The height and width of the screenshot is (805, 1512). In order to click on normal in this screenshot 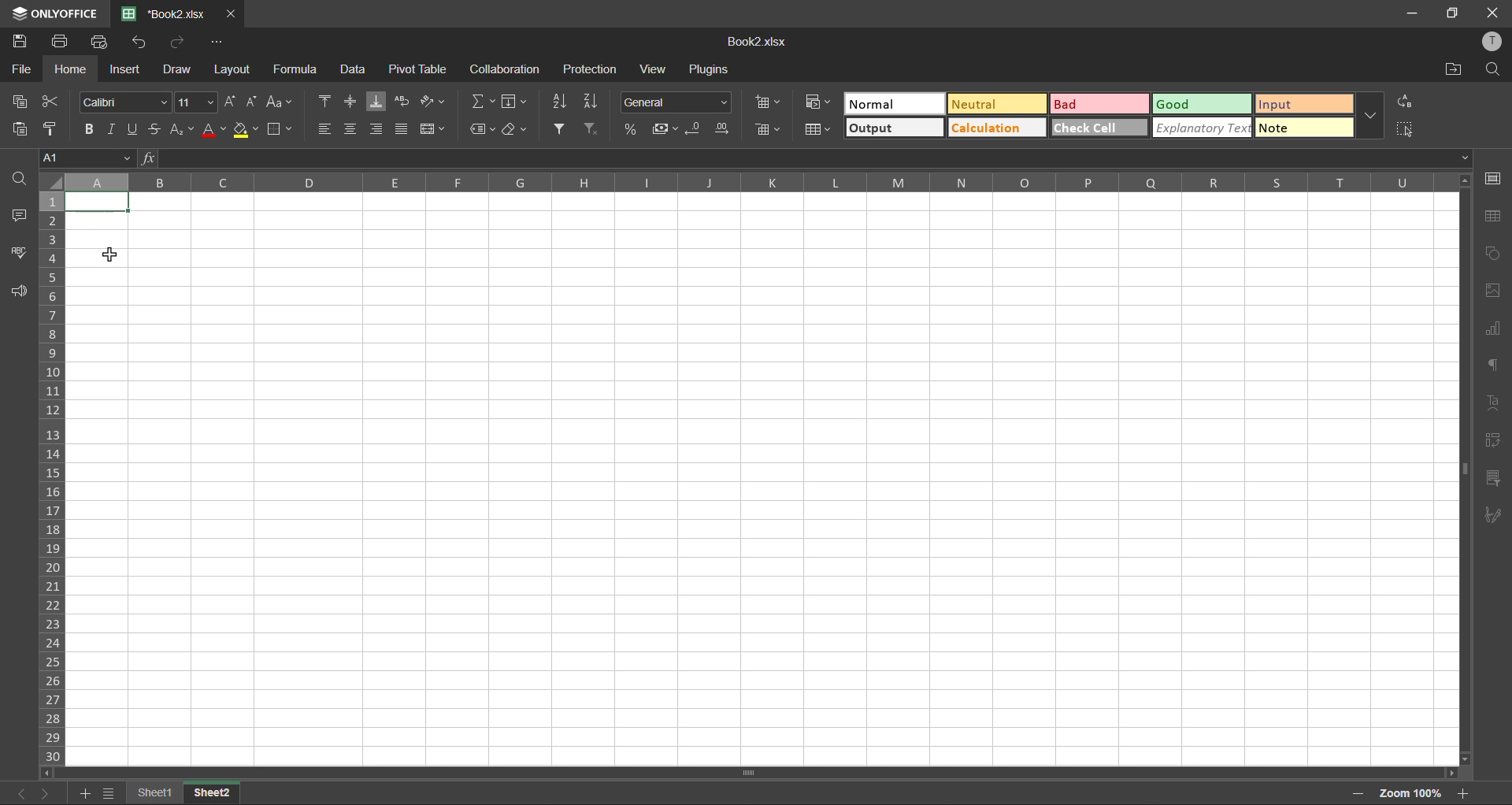, I will do `click(896, 103)`.